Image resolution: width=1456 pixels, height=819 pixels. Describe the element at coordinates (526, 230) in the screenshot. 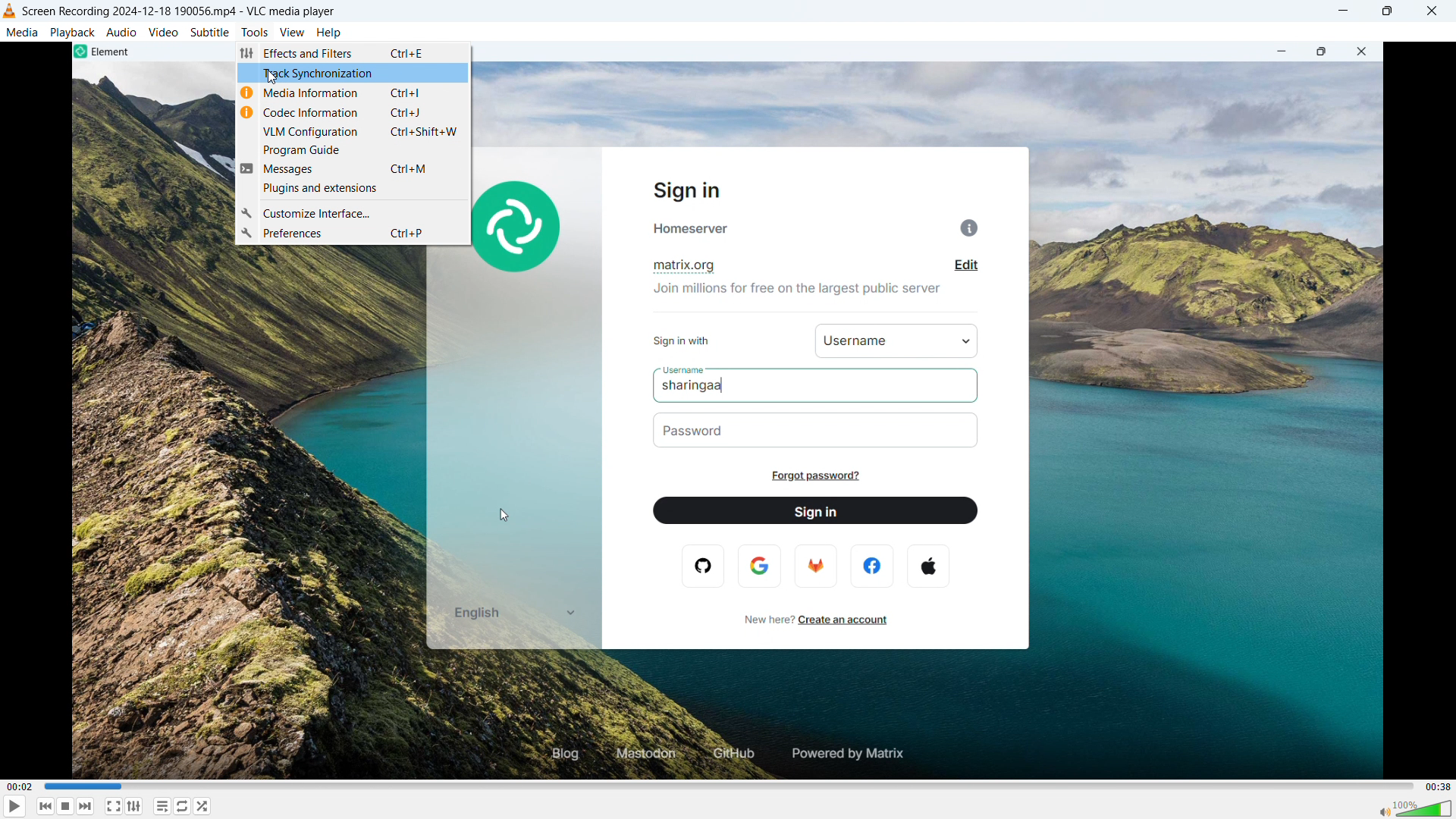

I see `element logo` at that location.